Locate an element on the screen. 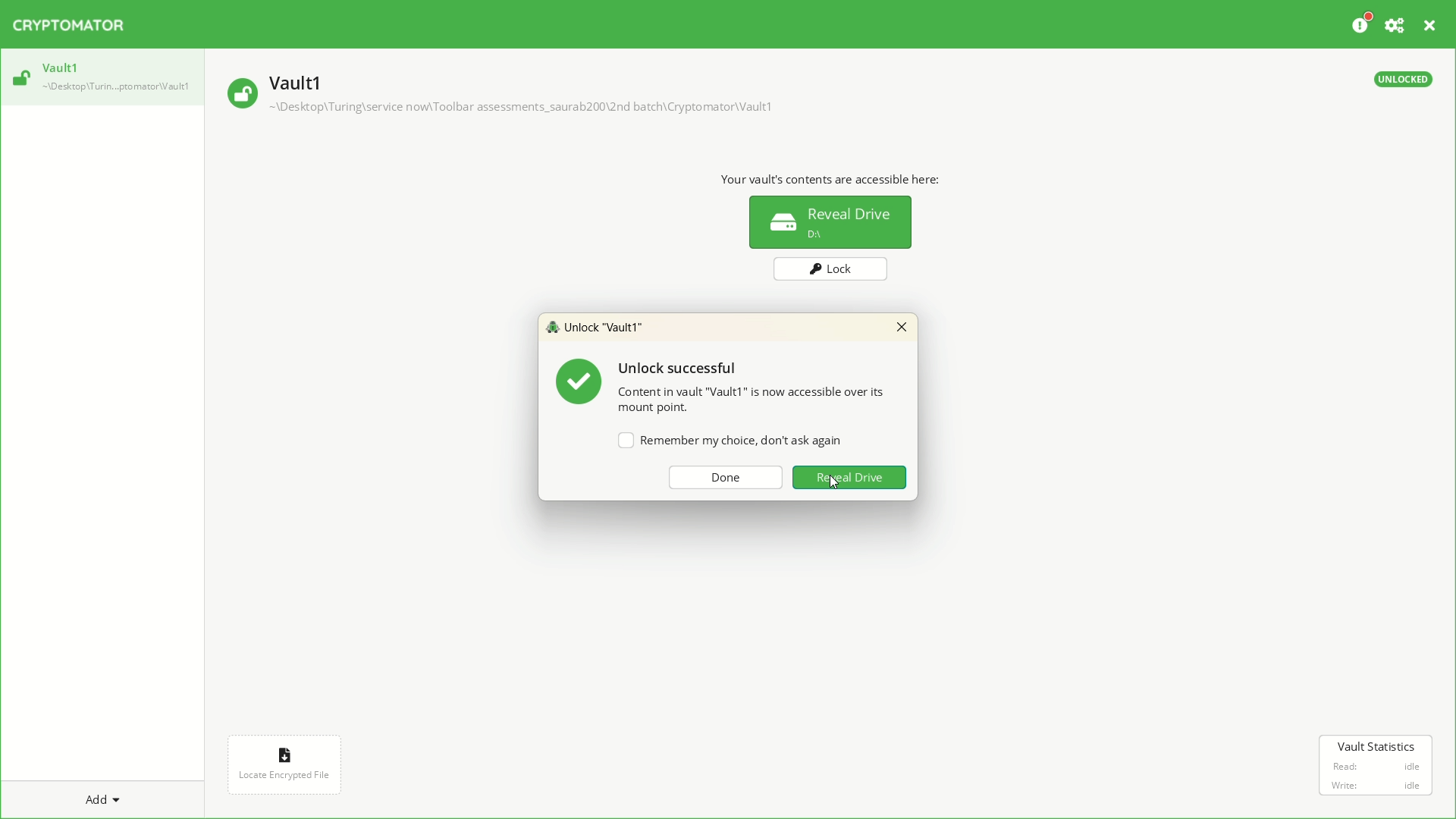 This screenshot has height=819, width=1456. cryptomator is located at coordinates (80, 28).